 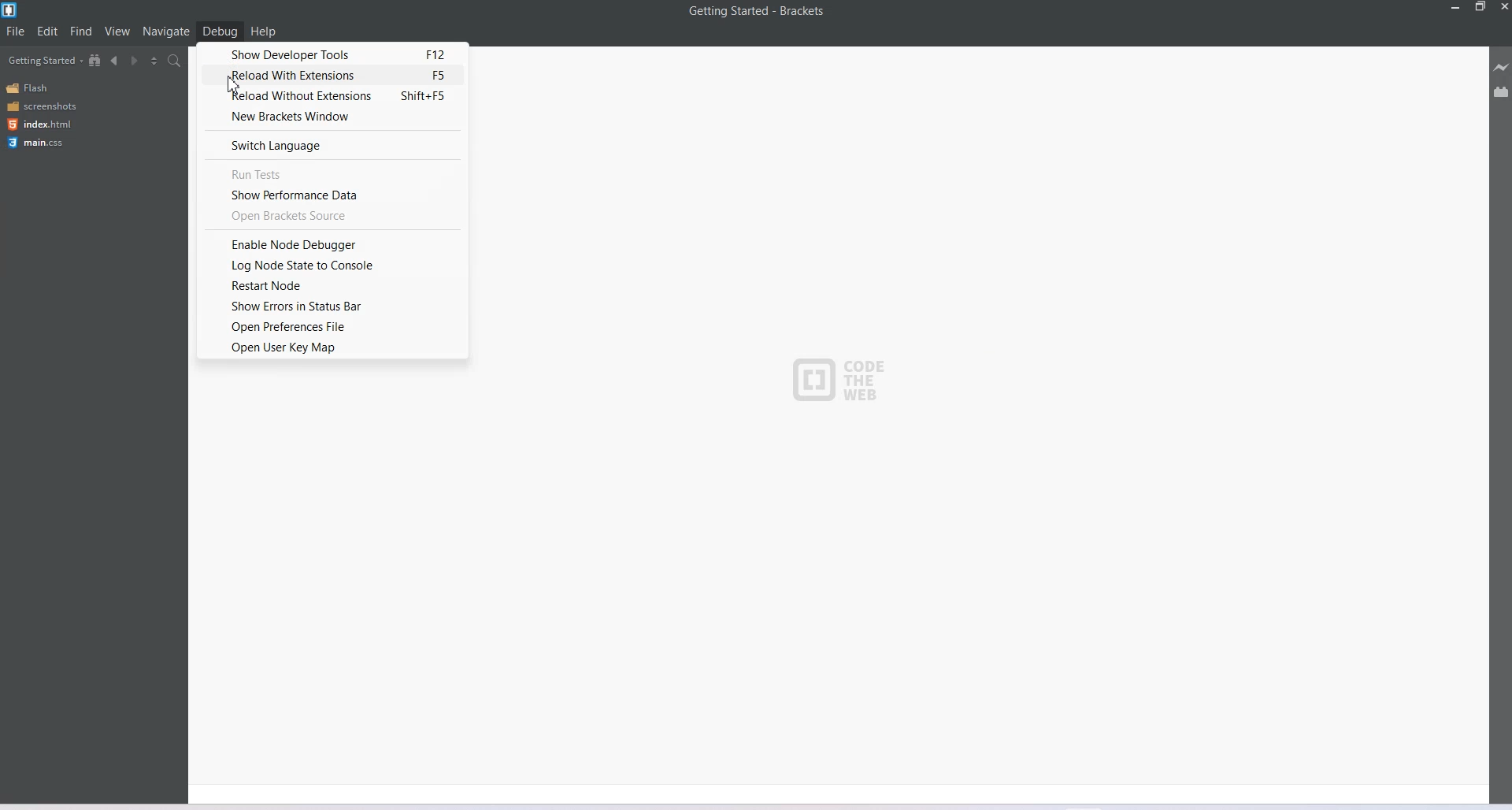 I want to click on main.css, so click(x=39, y=143).